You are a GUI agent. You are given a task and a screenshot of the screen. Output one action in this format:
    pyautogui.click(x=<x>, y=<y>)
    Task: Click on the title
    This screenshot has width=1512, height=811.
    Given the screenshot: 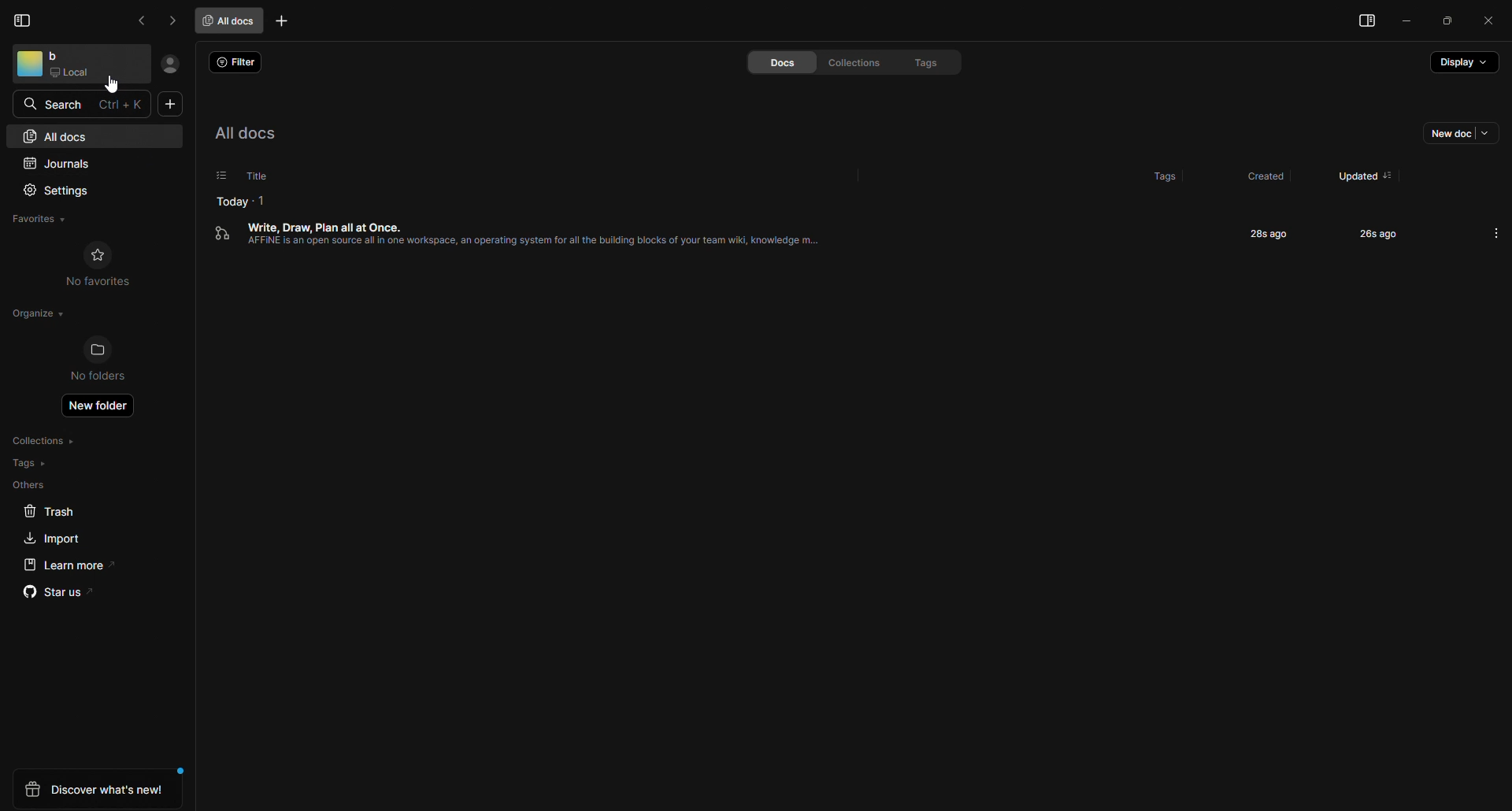 What is the action you would take?
    pyautogui.click(x=254, y=175)
    